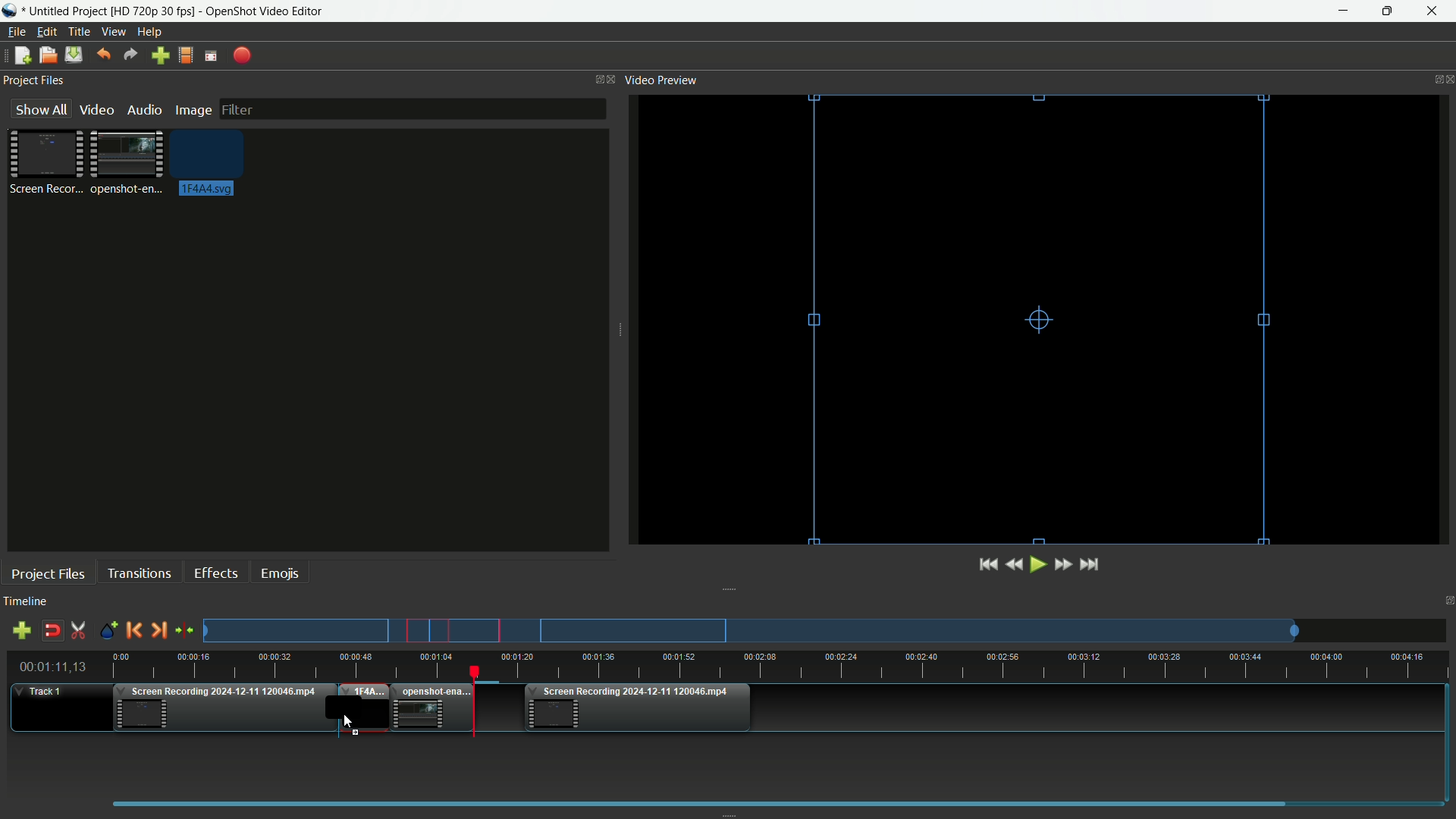 The image size is (1456, 819). What do you see at coordinates (347, 720) in the screenshot?
I see `cursor` at bounding box center [347, 720].